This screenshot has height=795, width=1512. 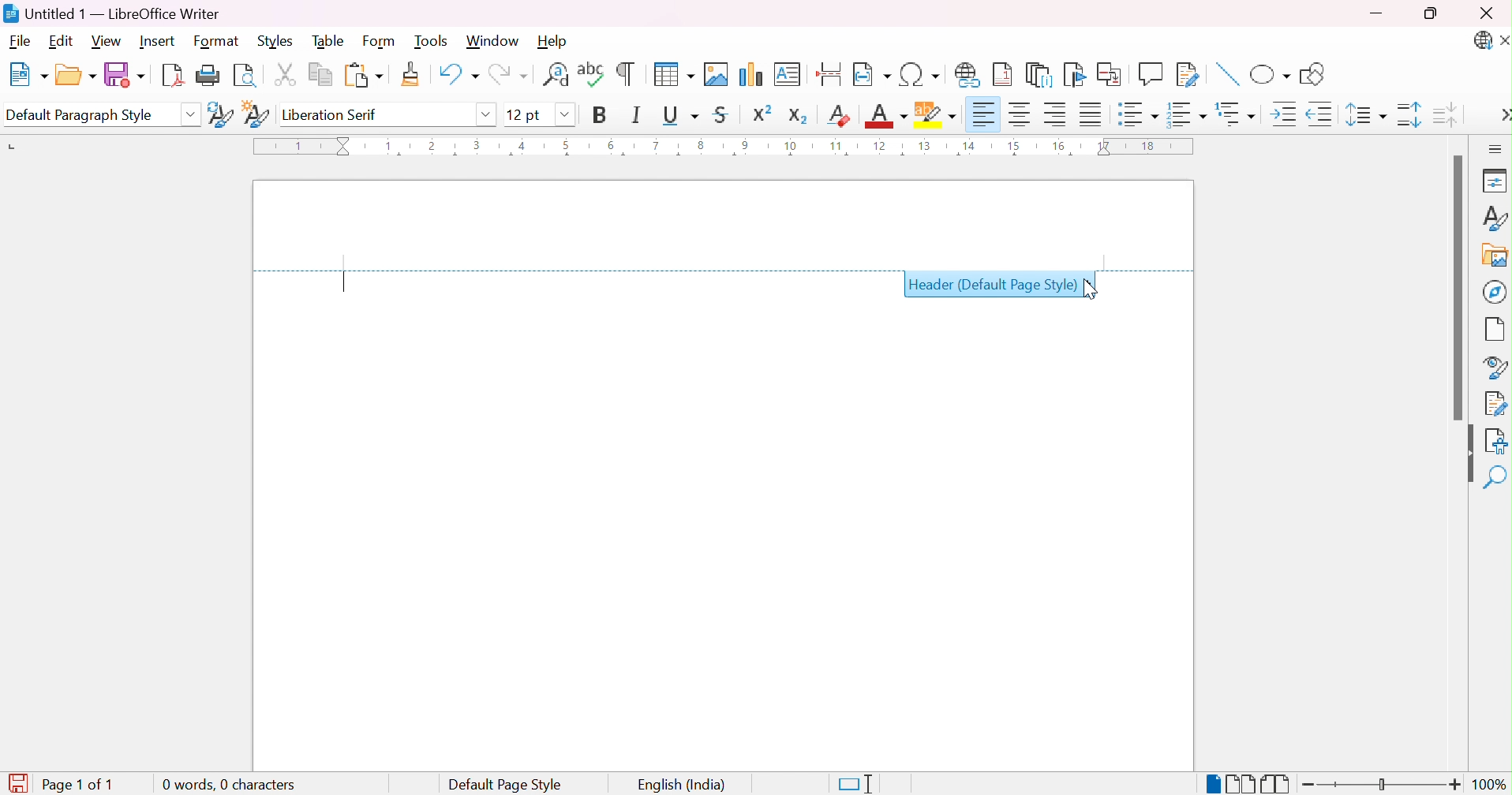 I want to click on Restore down, so click(x=1434, y=12).